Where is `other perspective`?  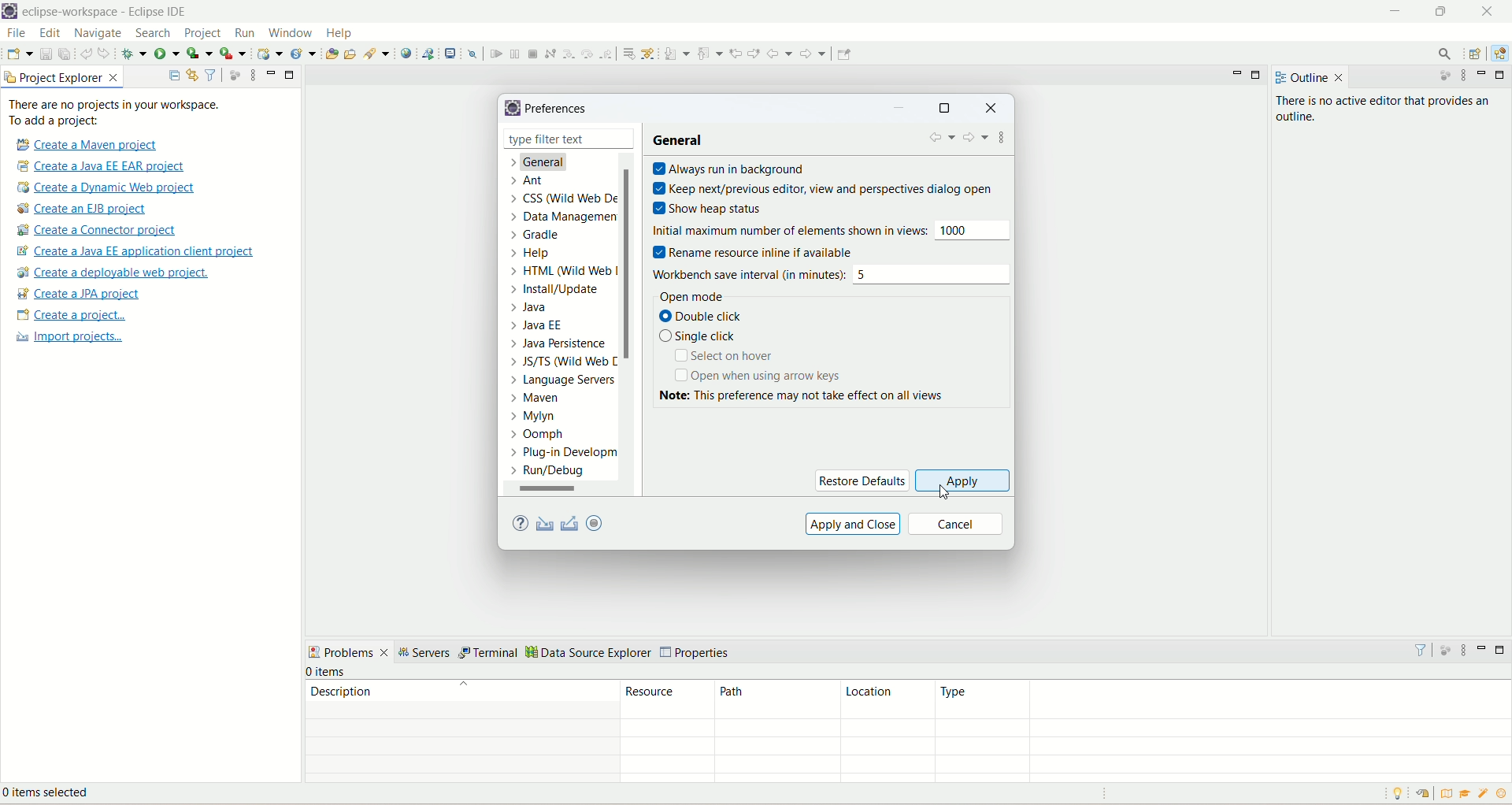
other perspective is located at coordinates (1477, 54).